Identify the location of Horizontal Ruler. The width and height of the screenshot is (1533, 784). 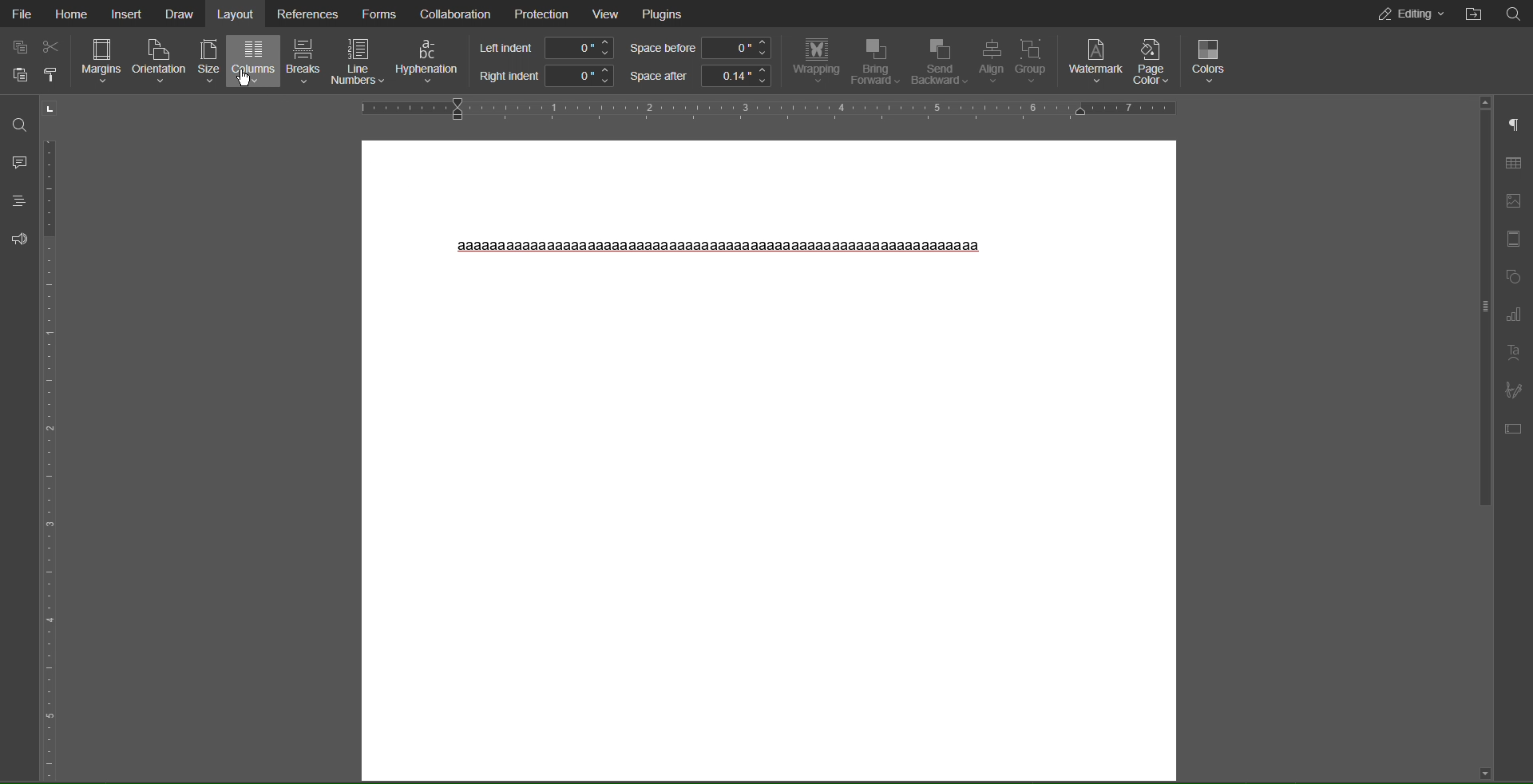
(762, 109).